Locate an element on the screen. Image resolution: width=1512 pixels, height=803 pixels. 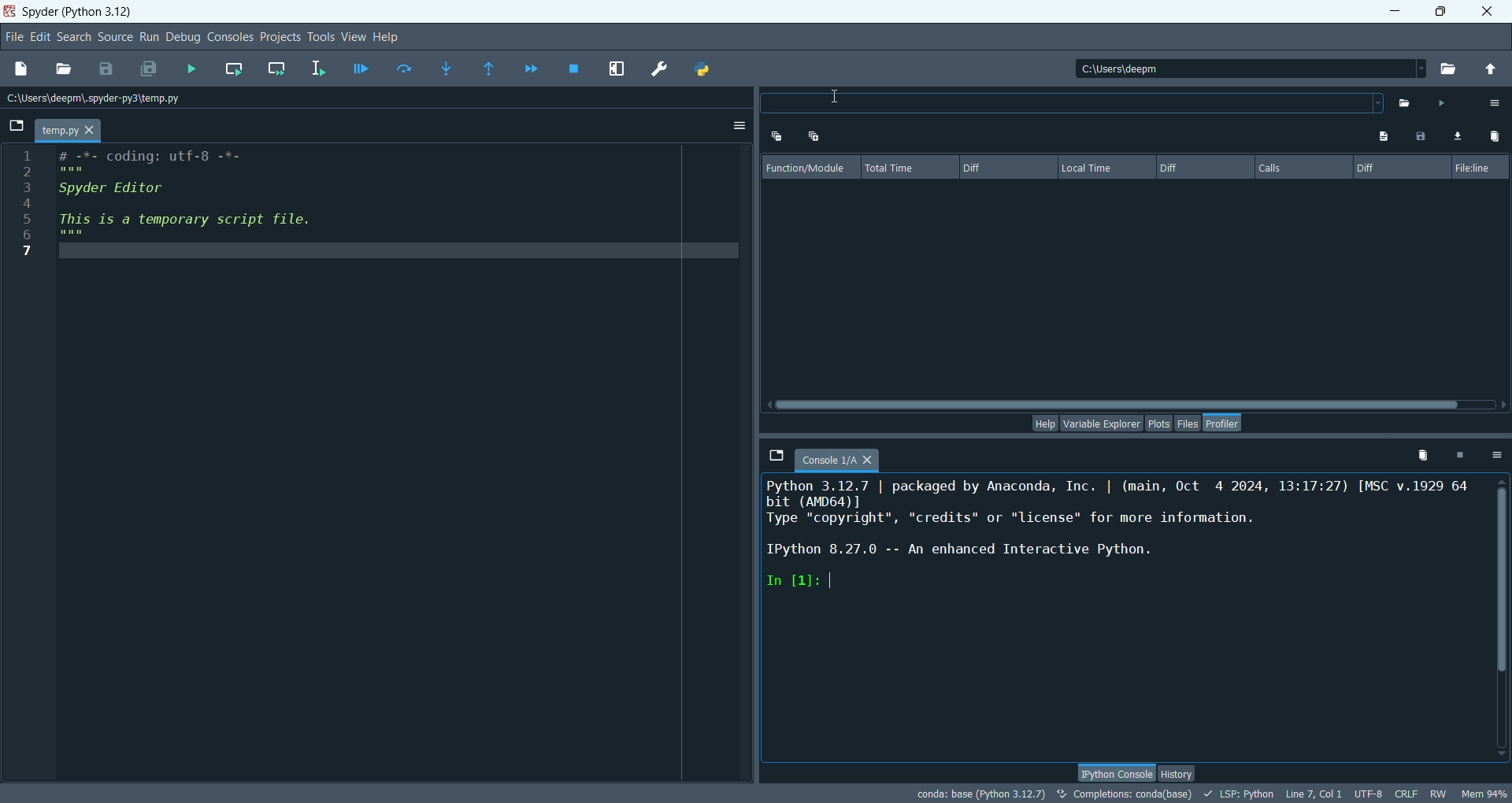
expand one level up is located at coordinates (776, 137).